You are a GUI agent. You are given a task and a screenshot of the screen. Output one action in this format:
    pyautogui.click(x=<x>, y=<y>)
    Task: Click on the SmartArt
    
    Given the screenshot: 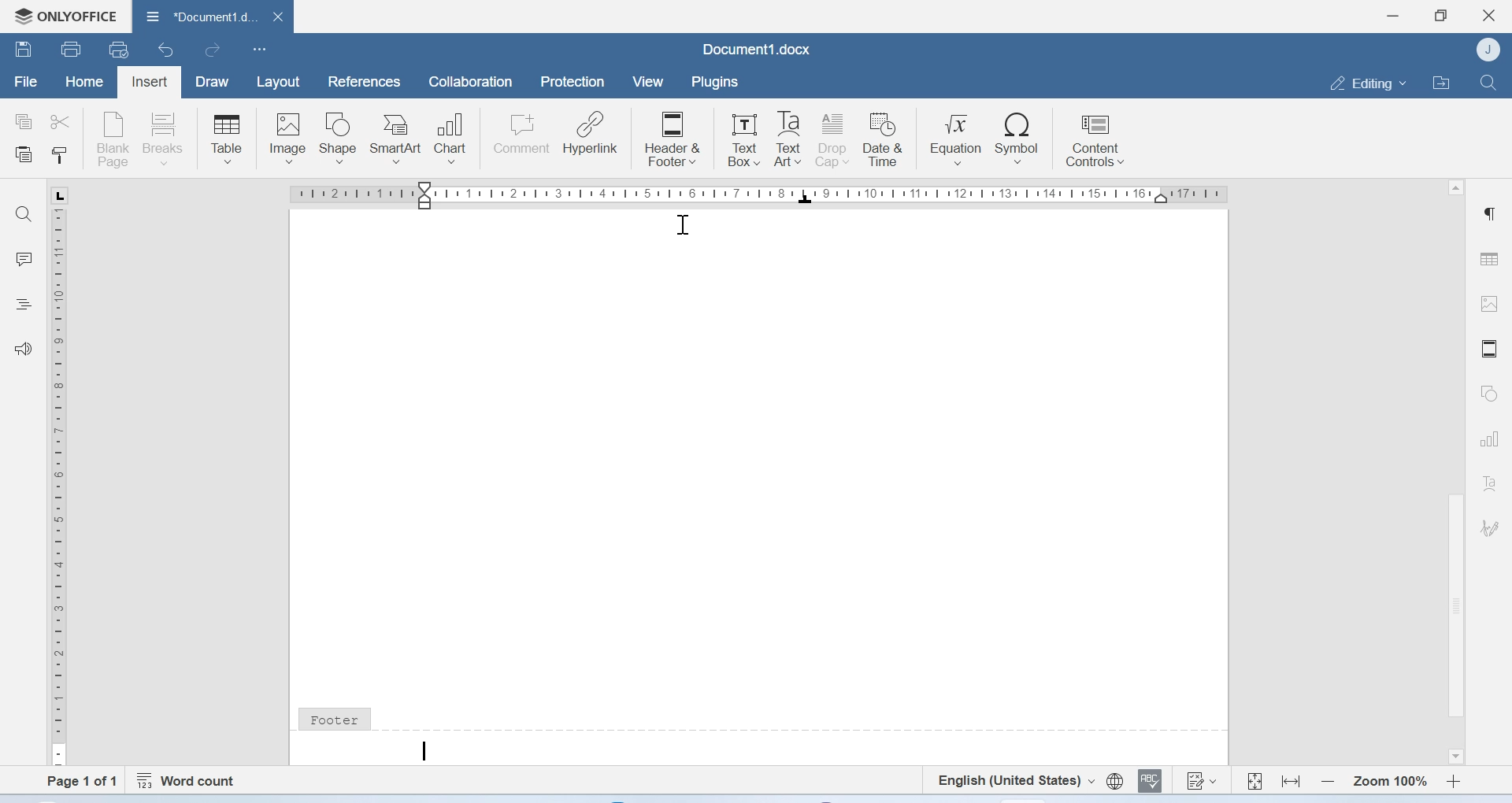 What is the action you would take?
    pyautogui.click(x=399, y=135)
    